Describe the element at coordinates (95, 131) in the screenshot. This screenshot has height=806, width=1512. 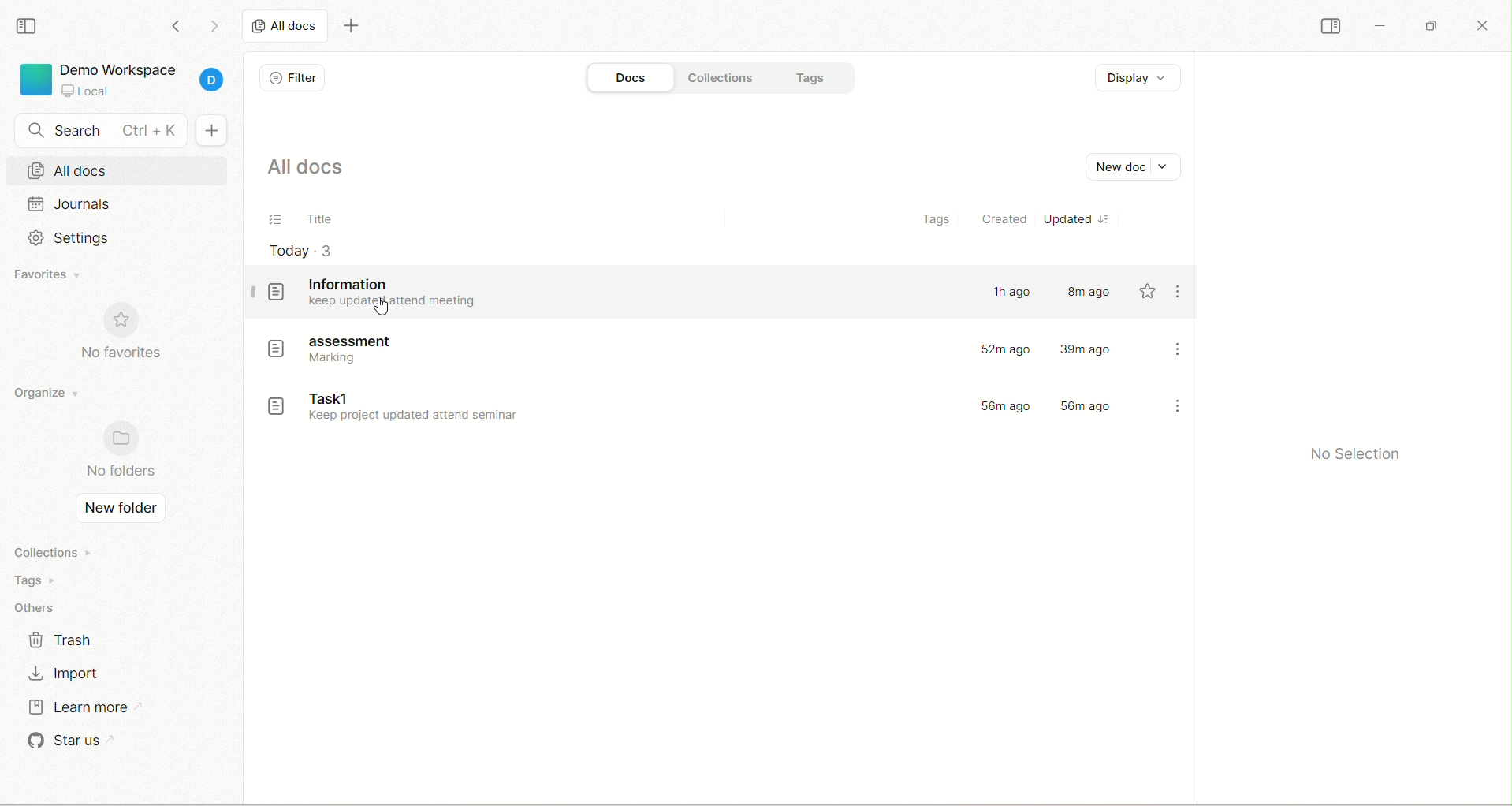
I see `search` at that location.